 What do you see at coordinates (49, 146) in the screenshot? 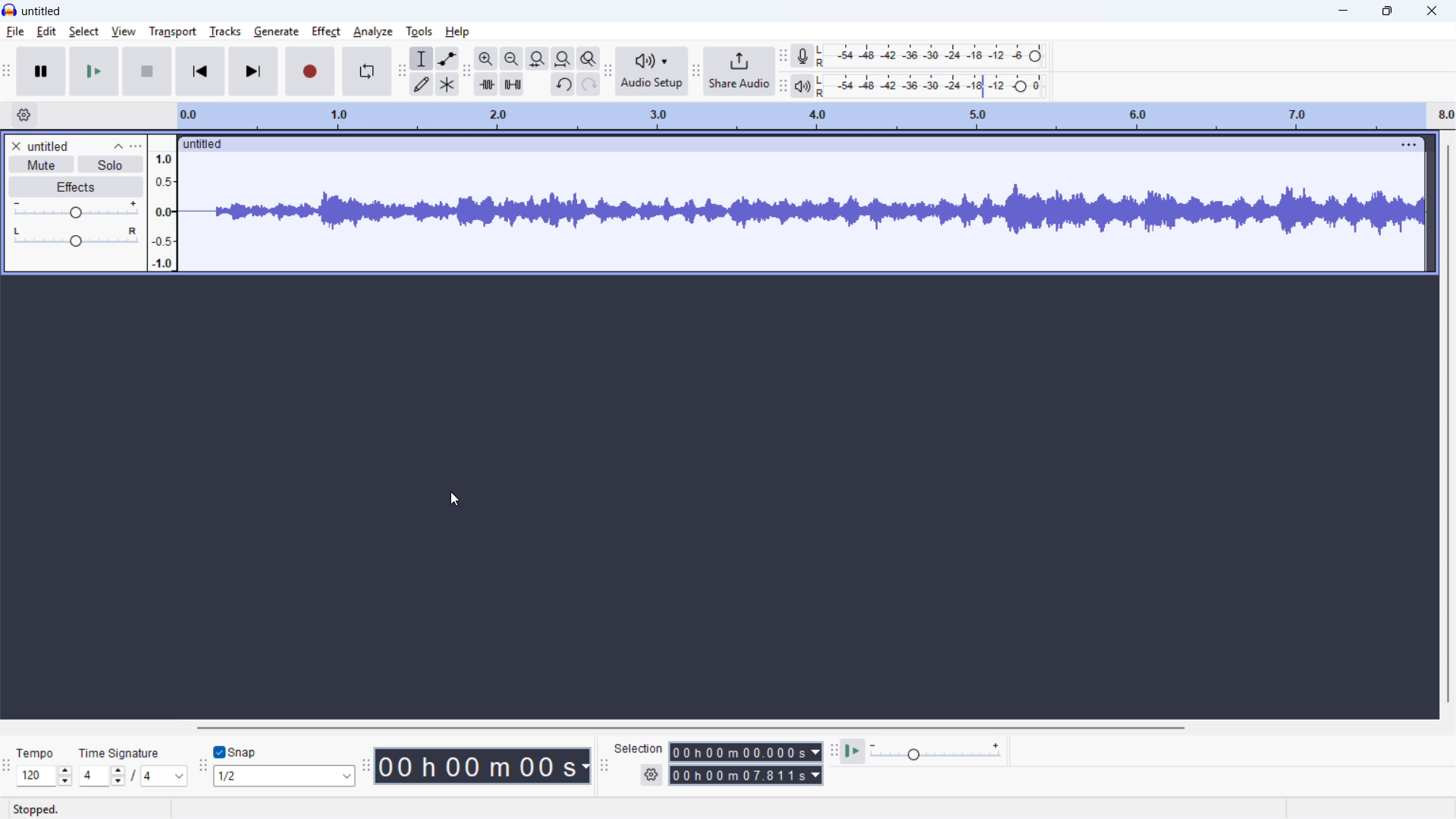
I see `untitled` at bounding box center [49, 146].